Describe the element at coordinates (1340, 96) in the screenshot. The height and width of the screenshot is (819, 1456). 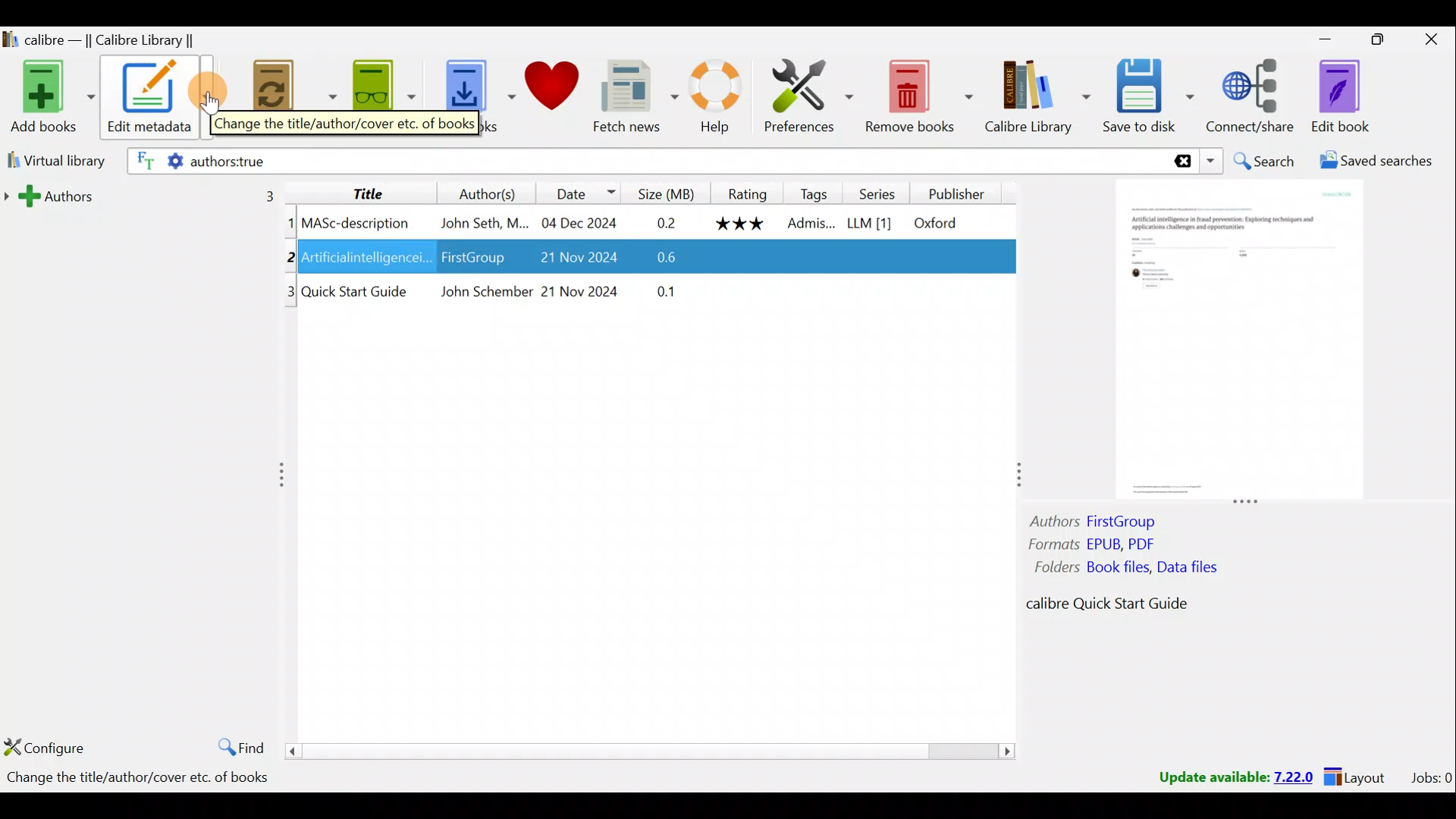
I see `Edit book` at that location.